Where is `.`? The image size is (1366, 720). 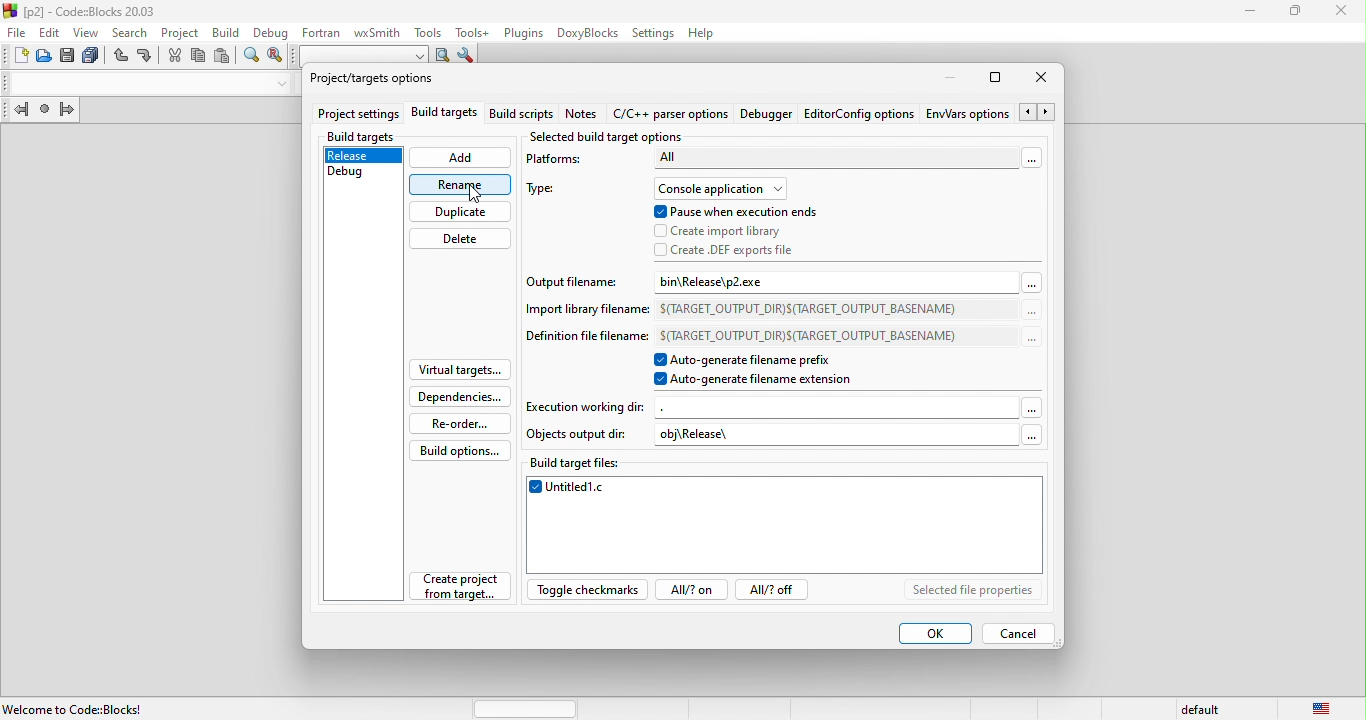
. is located at coordinates (837, 407).